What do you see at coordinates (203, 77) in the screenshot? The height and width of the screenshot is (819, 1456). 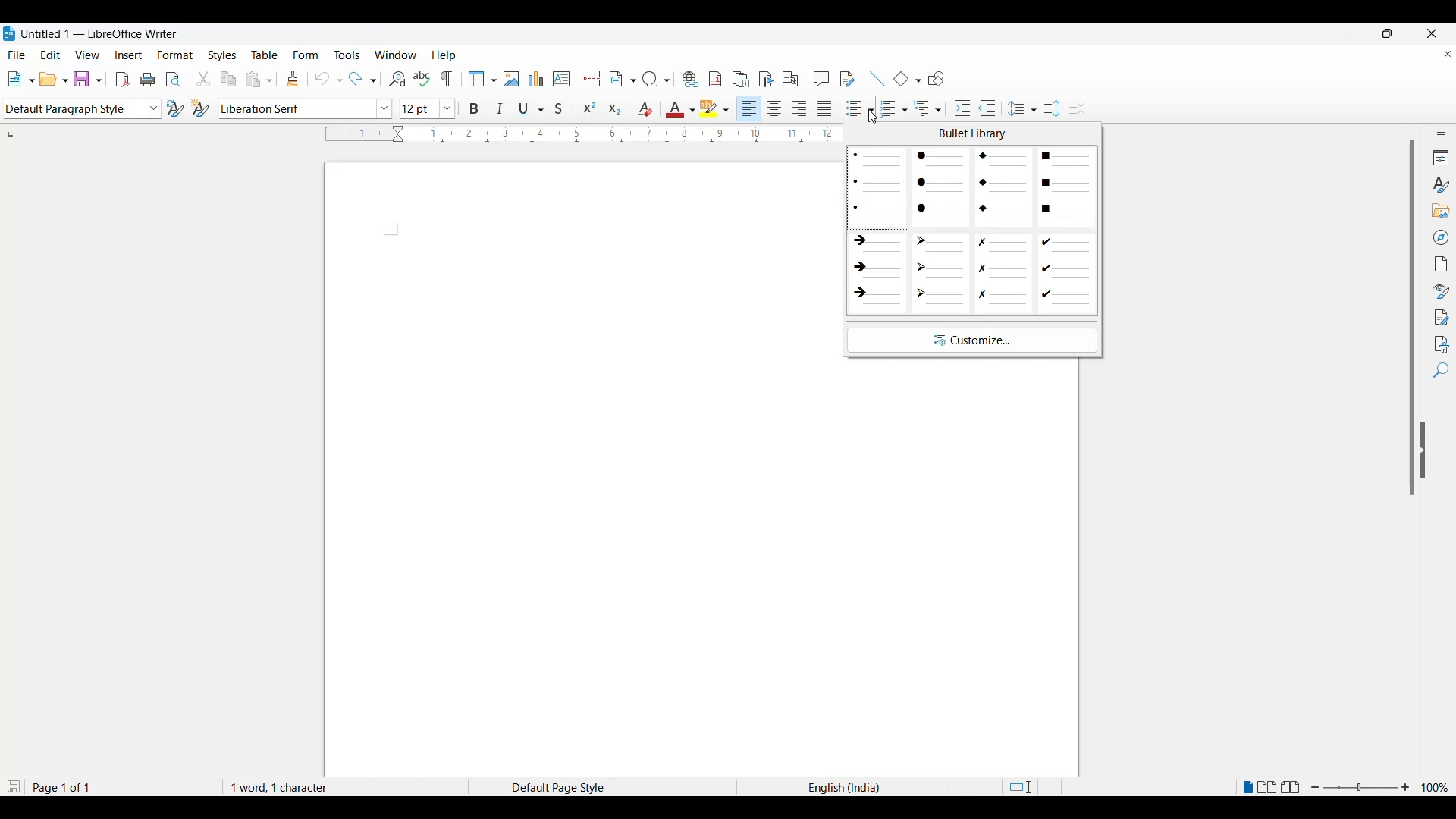 I see `cut` at bounding box center [203, 77].